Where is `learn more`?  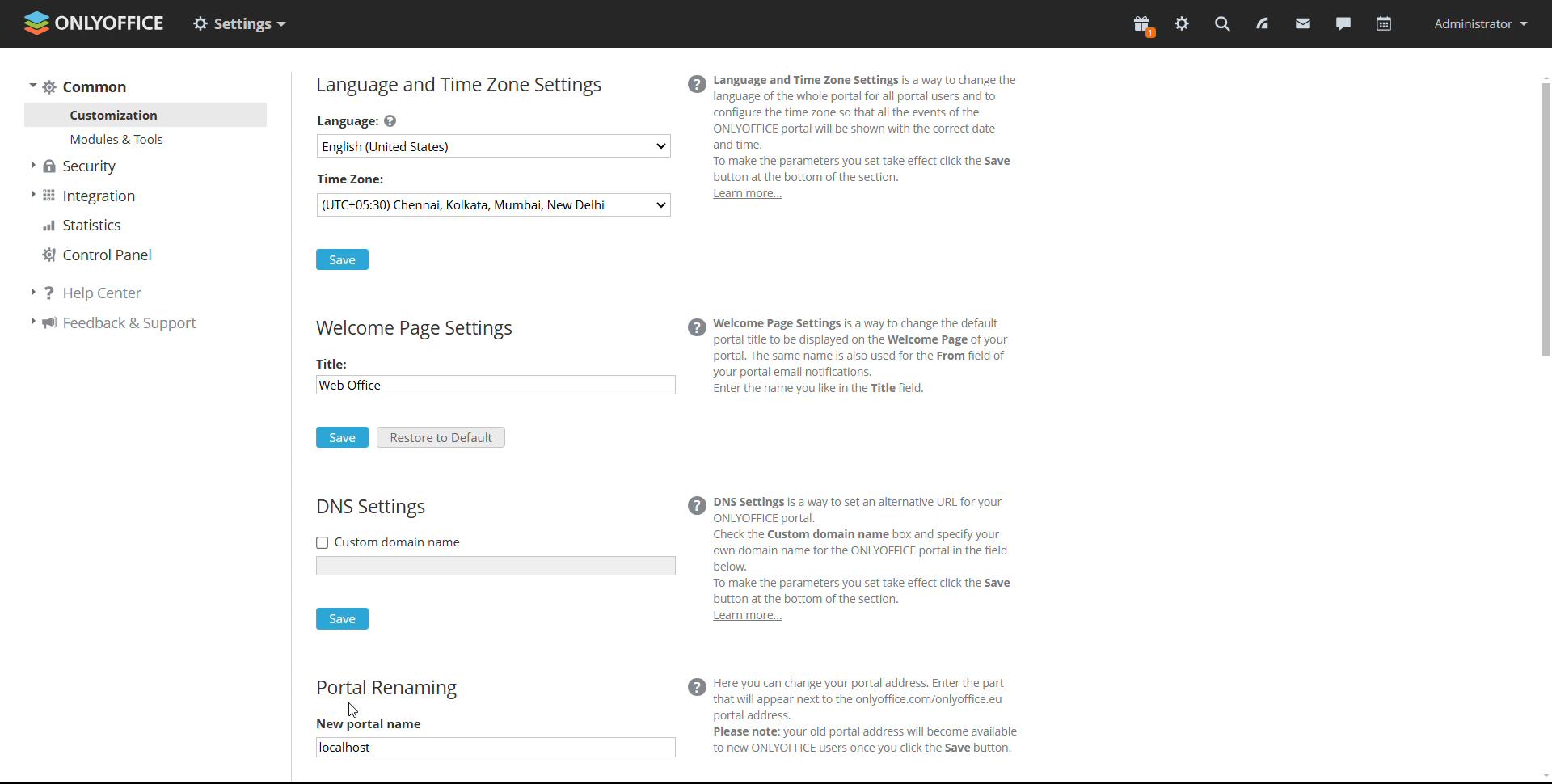
learn more is located at coordinates (746, 196).